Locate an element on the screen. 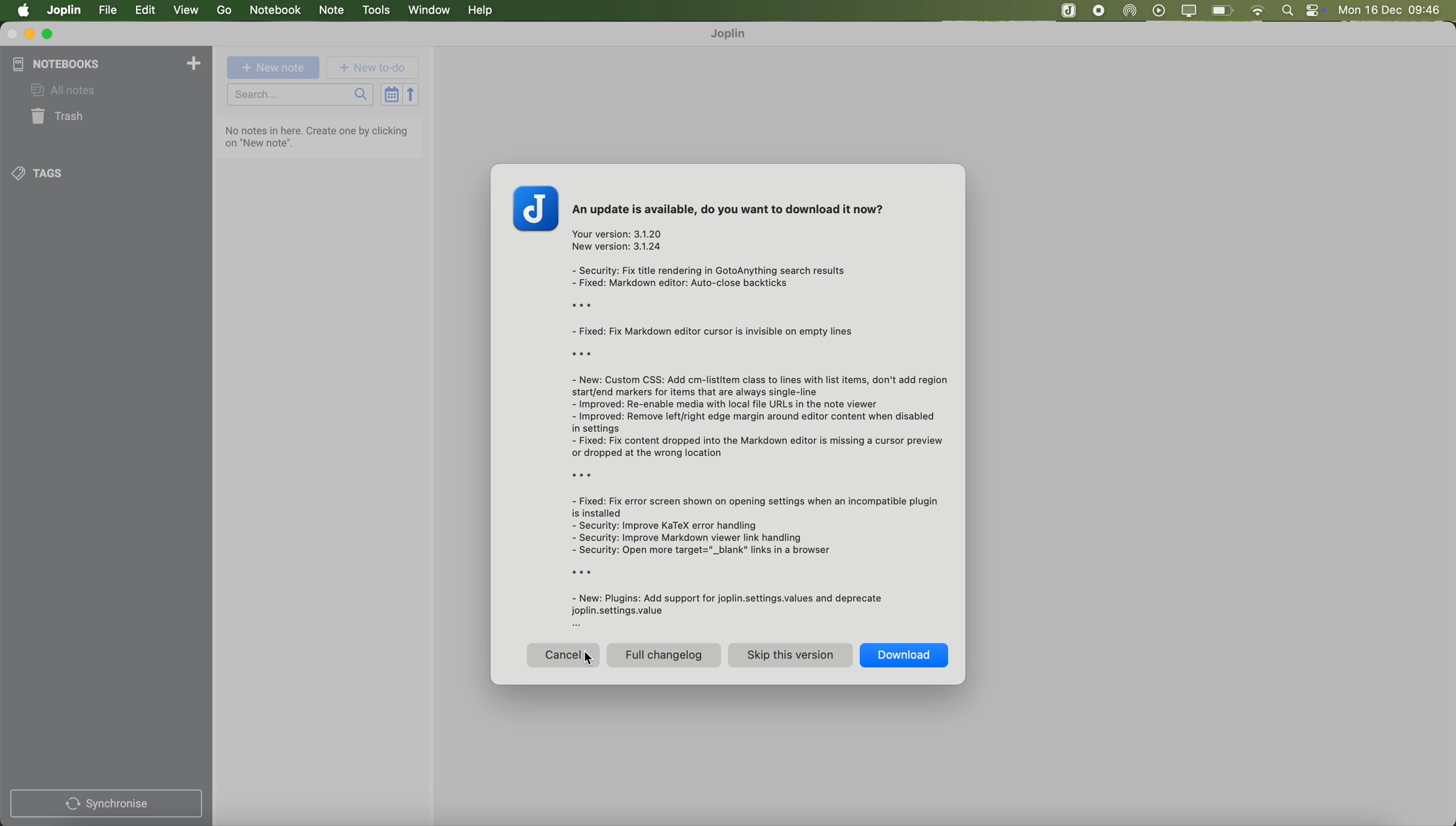  wifi is located at coordinates (1260, 11).